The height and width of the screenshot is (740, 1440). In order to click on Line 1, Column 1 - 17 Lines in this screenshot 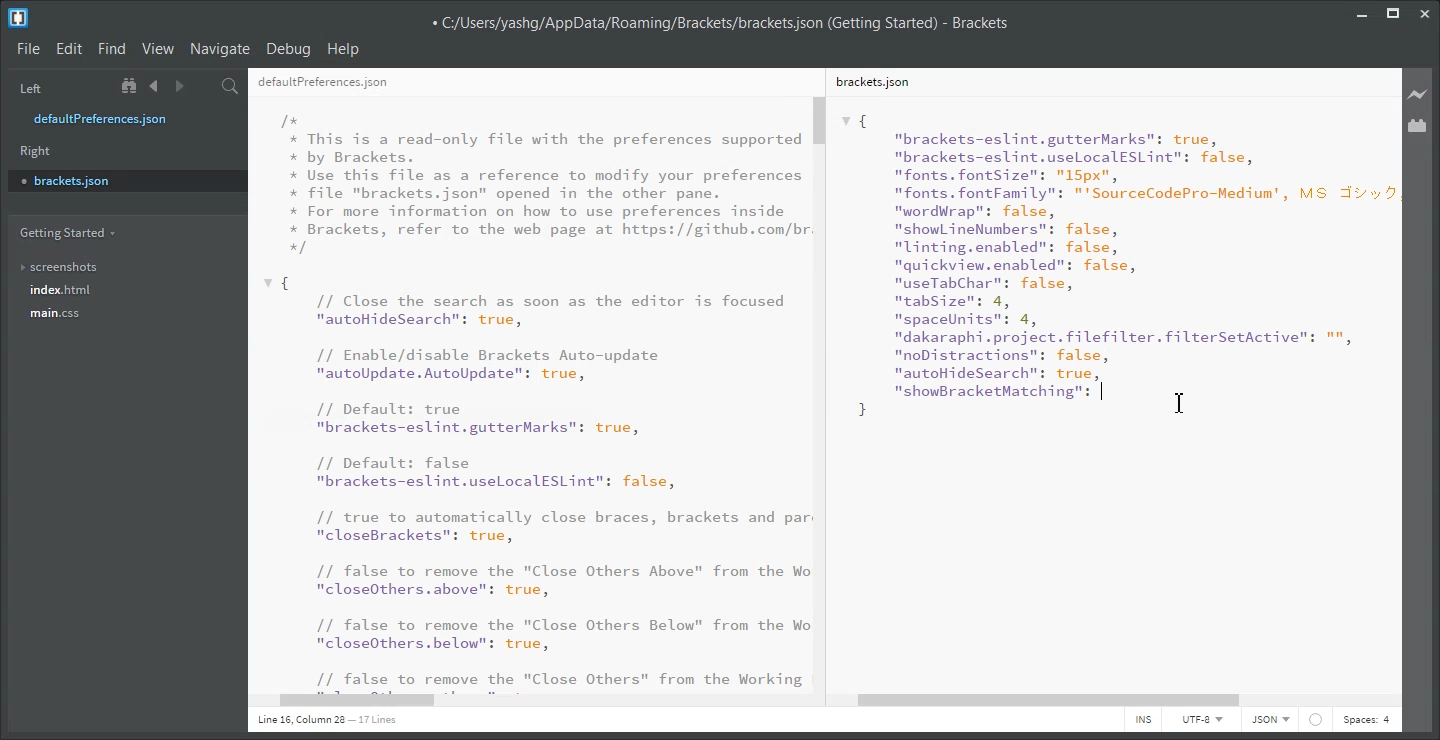, I will do `click(324, 721)`.